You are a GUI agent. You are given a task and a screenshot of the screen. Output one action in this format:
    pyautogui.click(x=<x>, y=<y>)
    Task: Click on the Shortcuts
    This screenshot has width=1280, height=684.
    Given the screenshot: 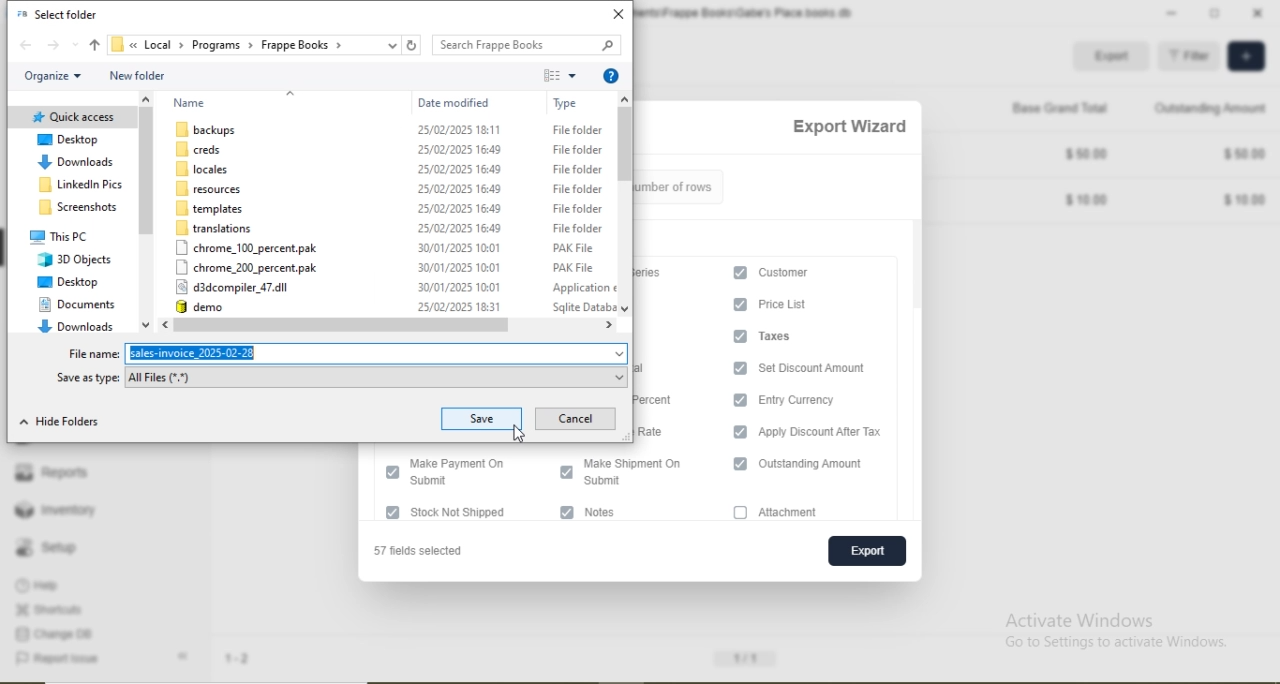 What is the action you would take?
    pyautogui.click(x=55, y=610)
    